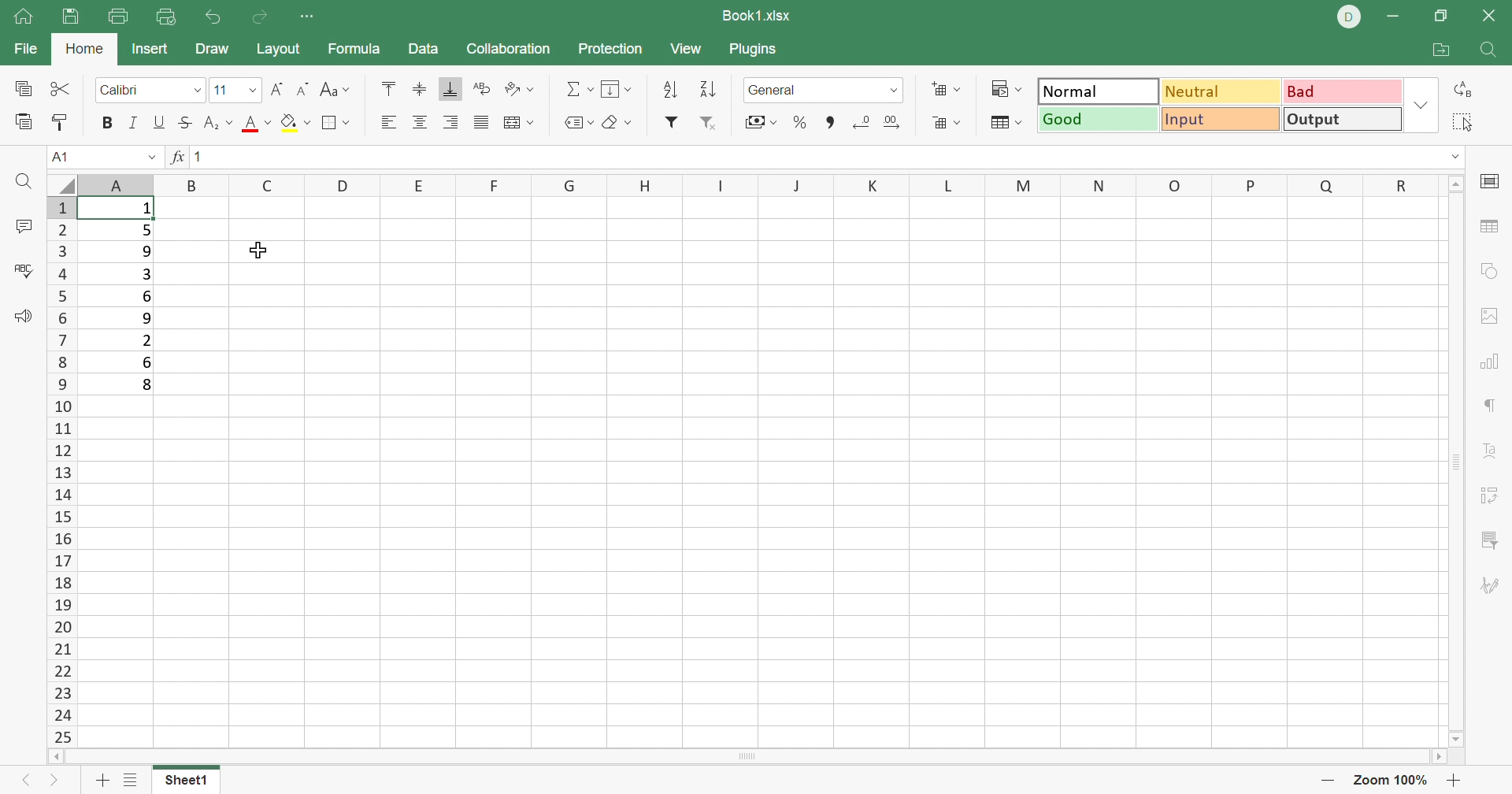 Image resolution: width=1512 pixels, height=794 pixels. Describe the element at coordinates (1430, 759) in the screenshot. I see `Scroll Right` at that location.